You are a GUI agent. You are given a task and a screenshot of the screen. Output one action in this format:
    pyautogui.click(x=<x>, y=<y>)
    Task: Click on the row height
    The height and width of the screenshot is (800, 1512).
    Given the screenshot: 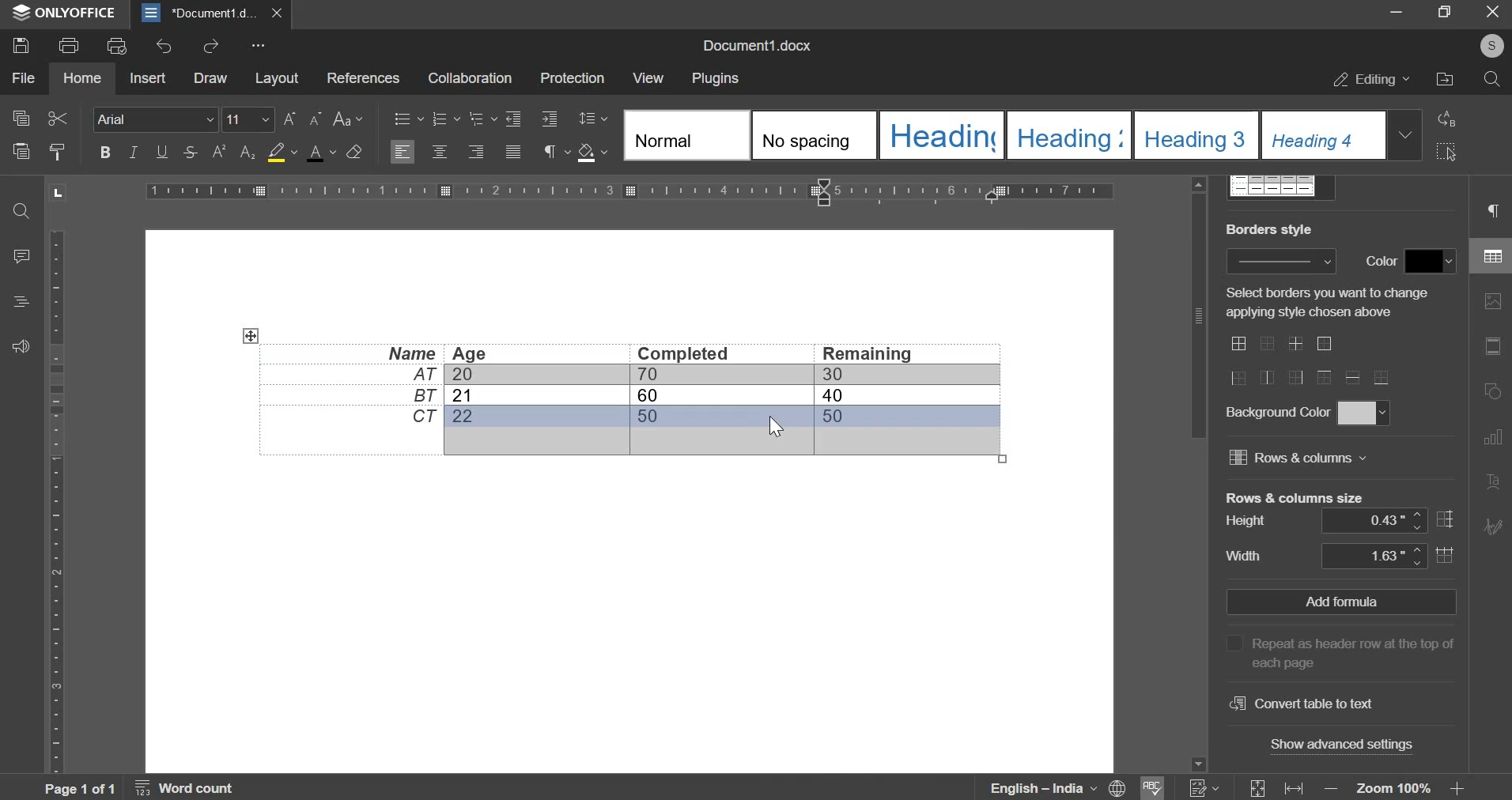 What is the action you would take?
    pyautogui.click(x=1386, y=520)
    